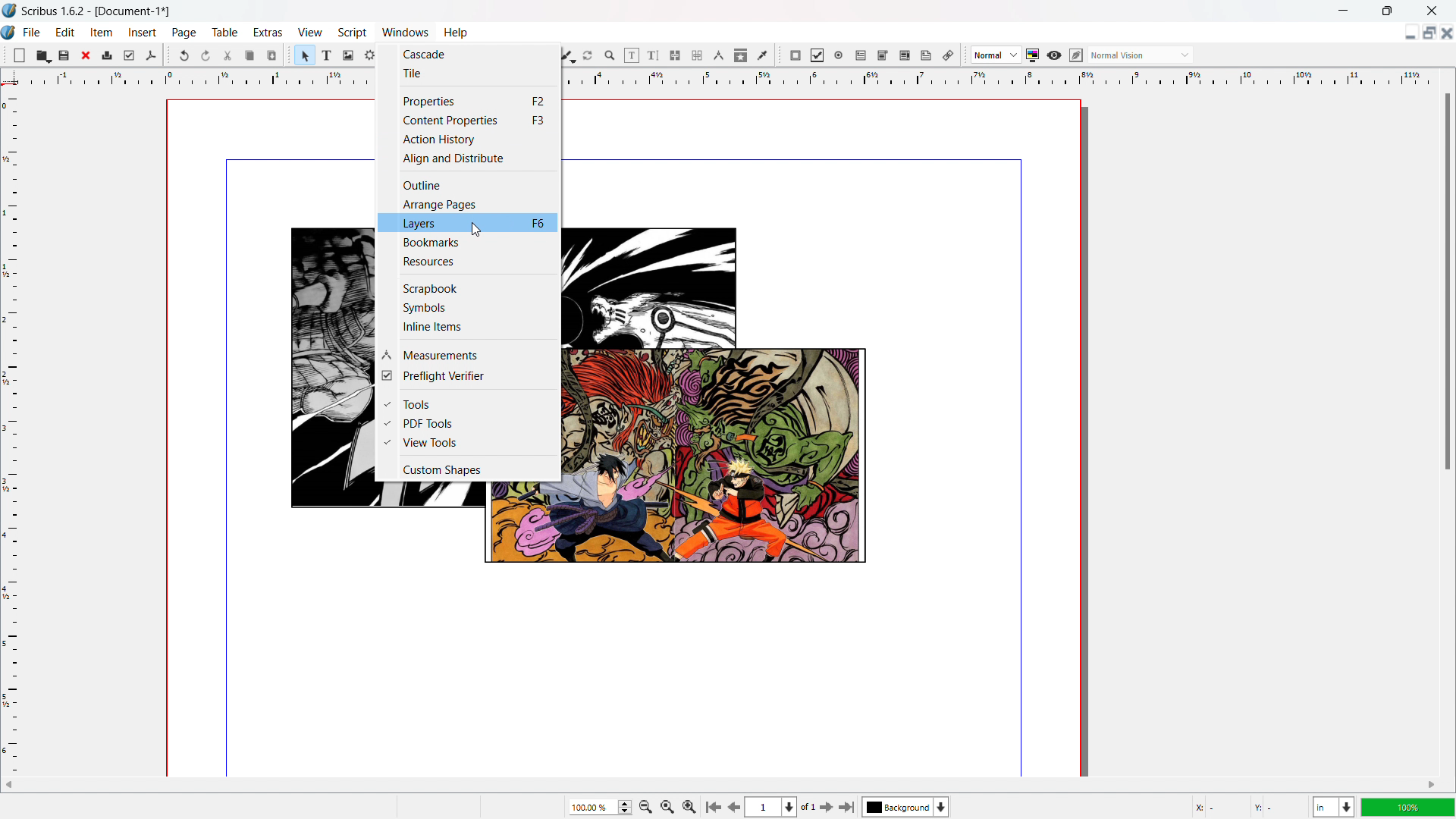 This screenshot has height=819, width=1456. Describe the element at coordinates (5, 54) in the screenshot. I see `move tools` at that location.